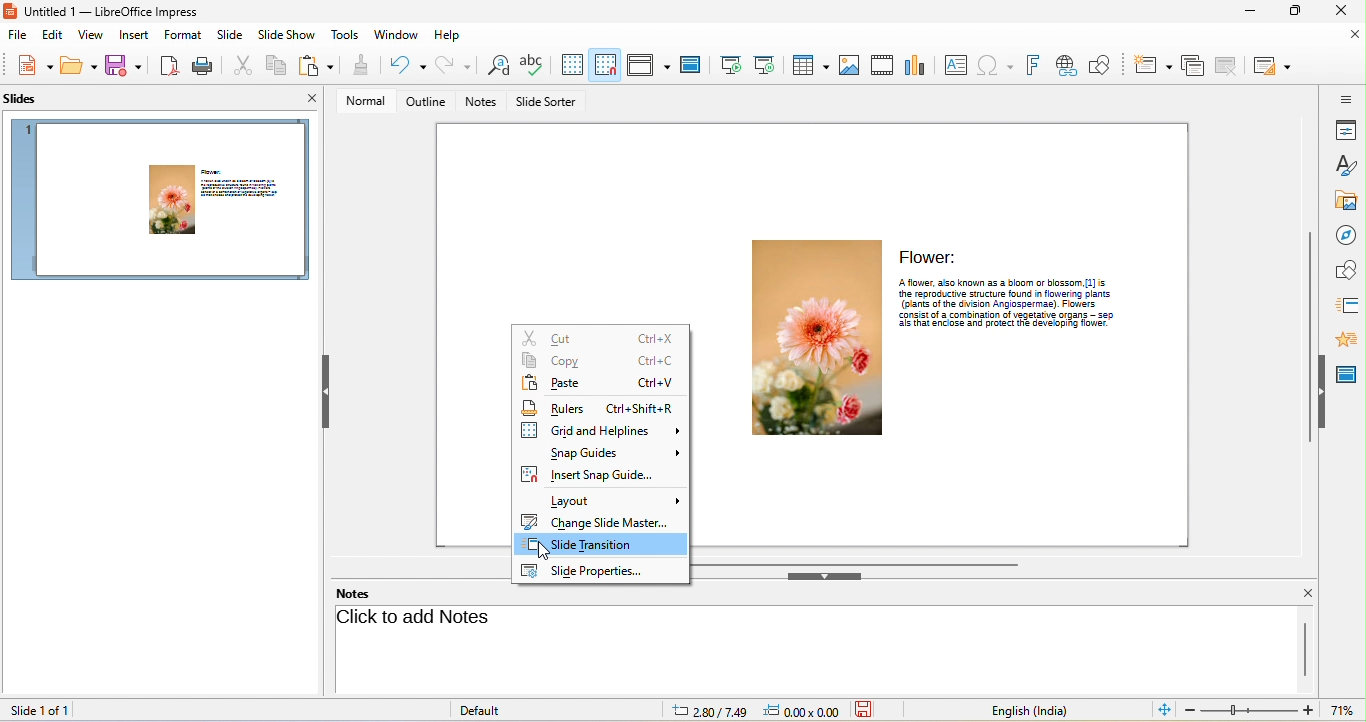  Describe the element at coordinates (236, 65) in the screenshot. I see `cut` at that location.